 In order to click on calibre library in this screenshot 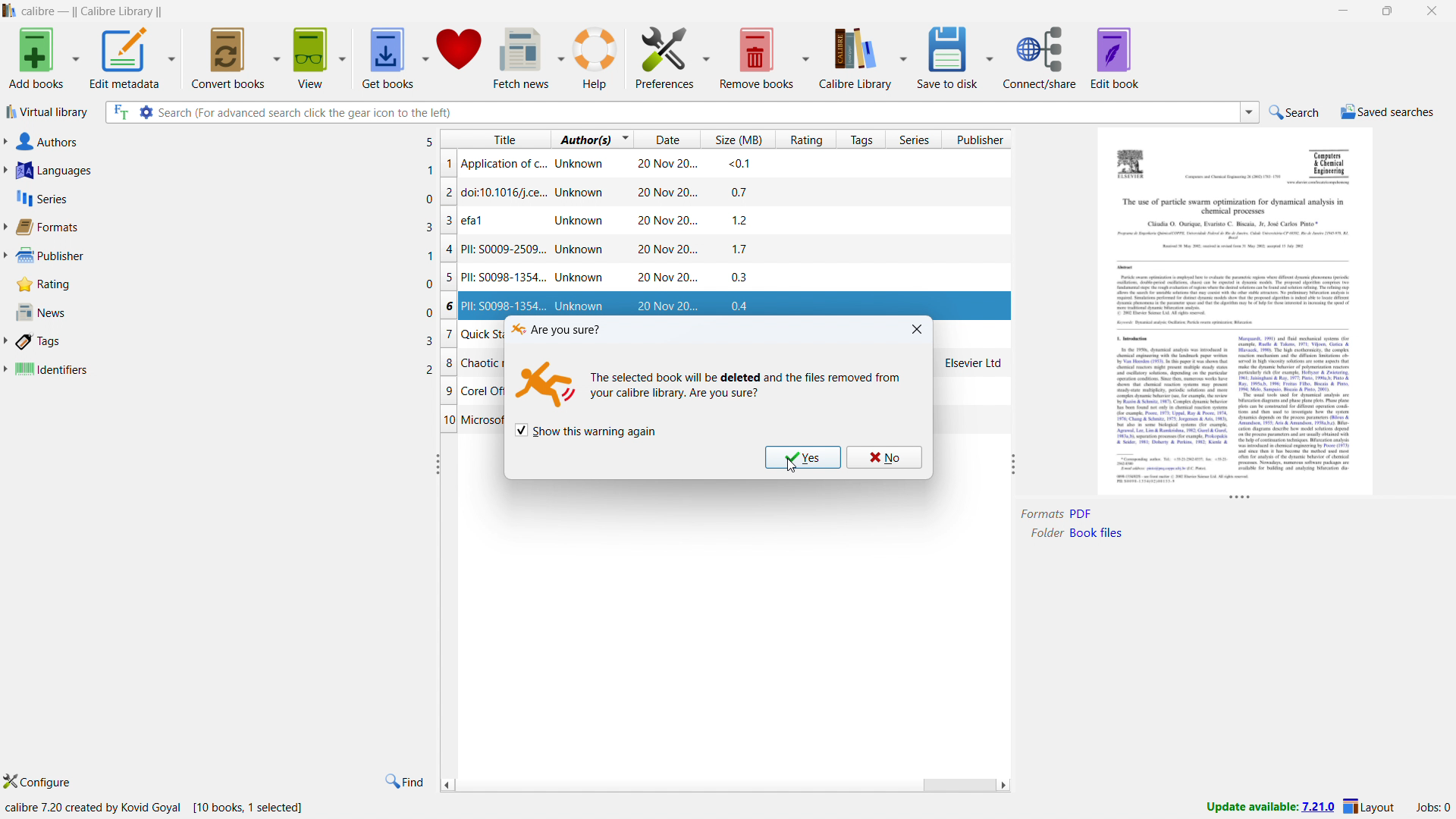, I will do `click(856, 56)`.